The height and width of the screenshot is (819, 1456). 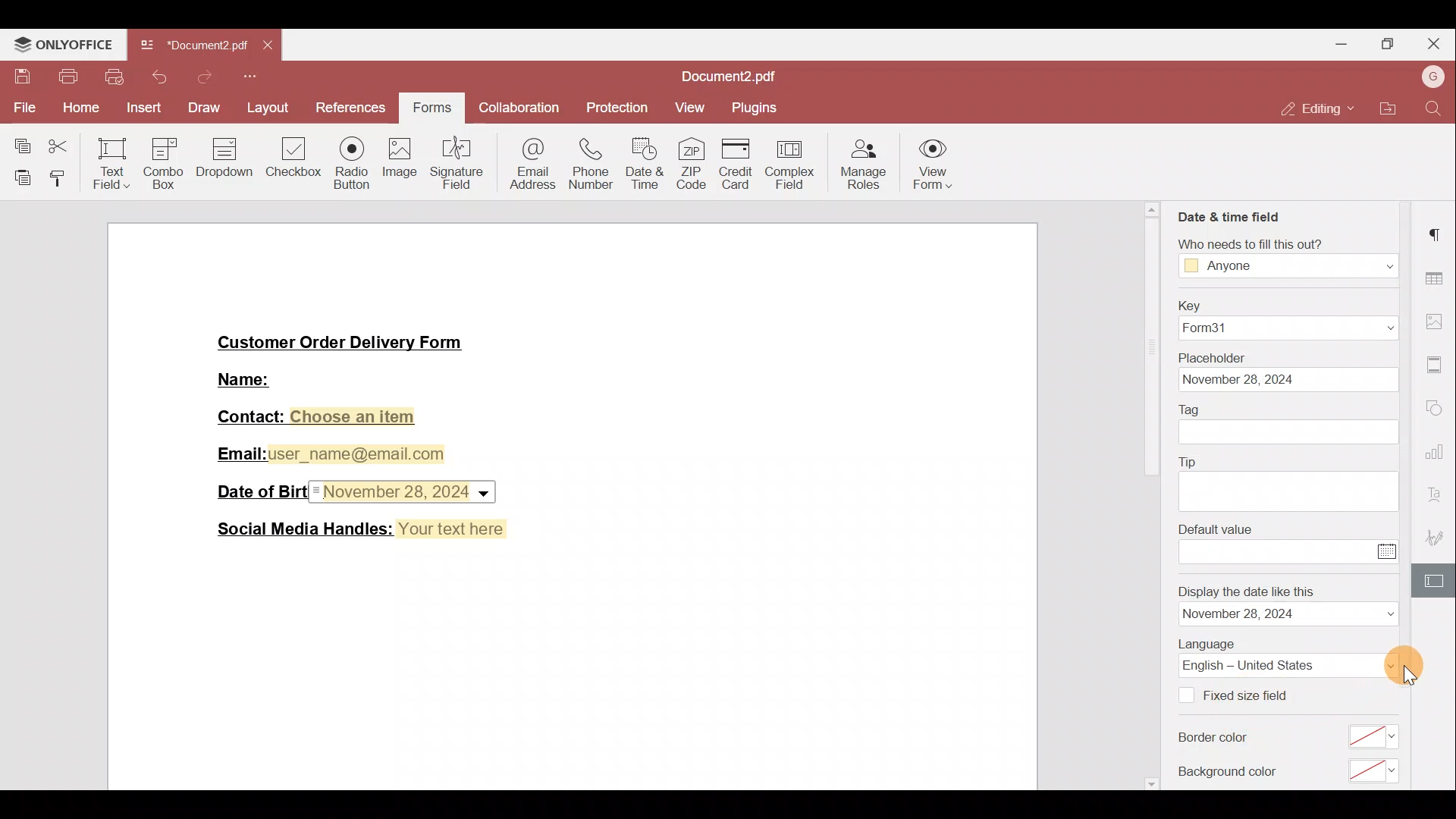 I want to click on Home, so click(x=77, y=109).